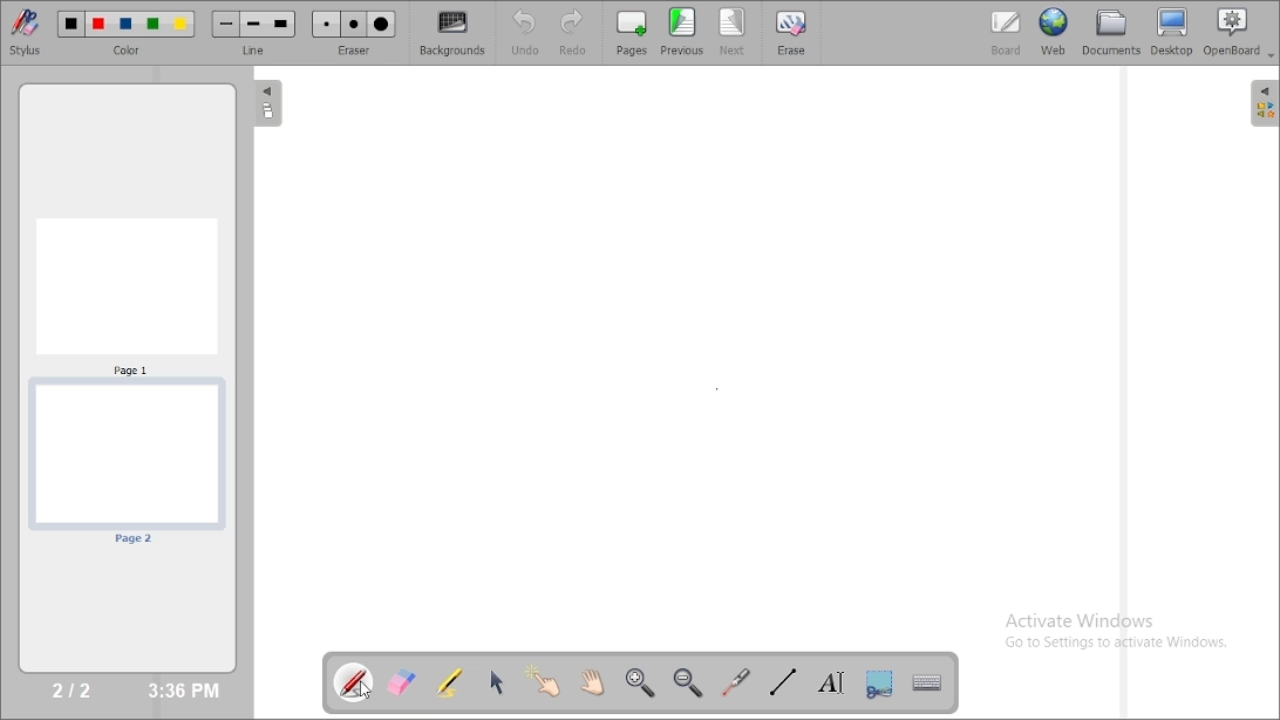 This screenshot has height=720, width=1280. What do you see at coordinates (181, 24) in the screenshot?
I see `Color 5` at bounding box center [181, 24].